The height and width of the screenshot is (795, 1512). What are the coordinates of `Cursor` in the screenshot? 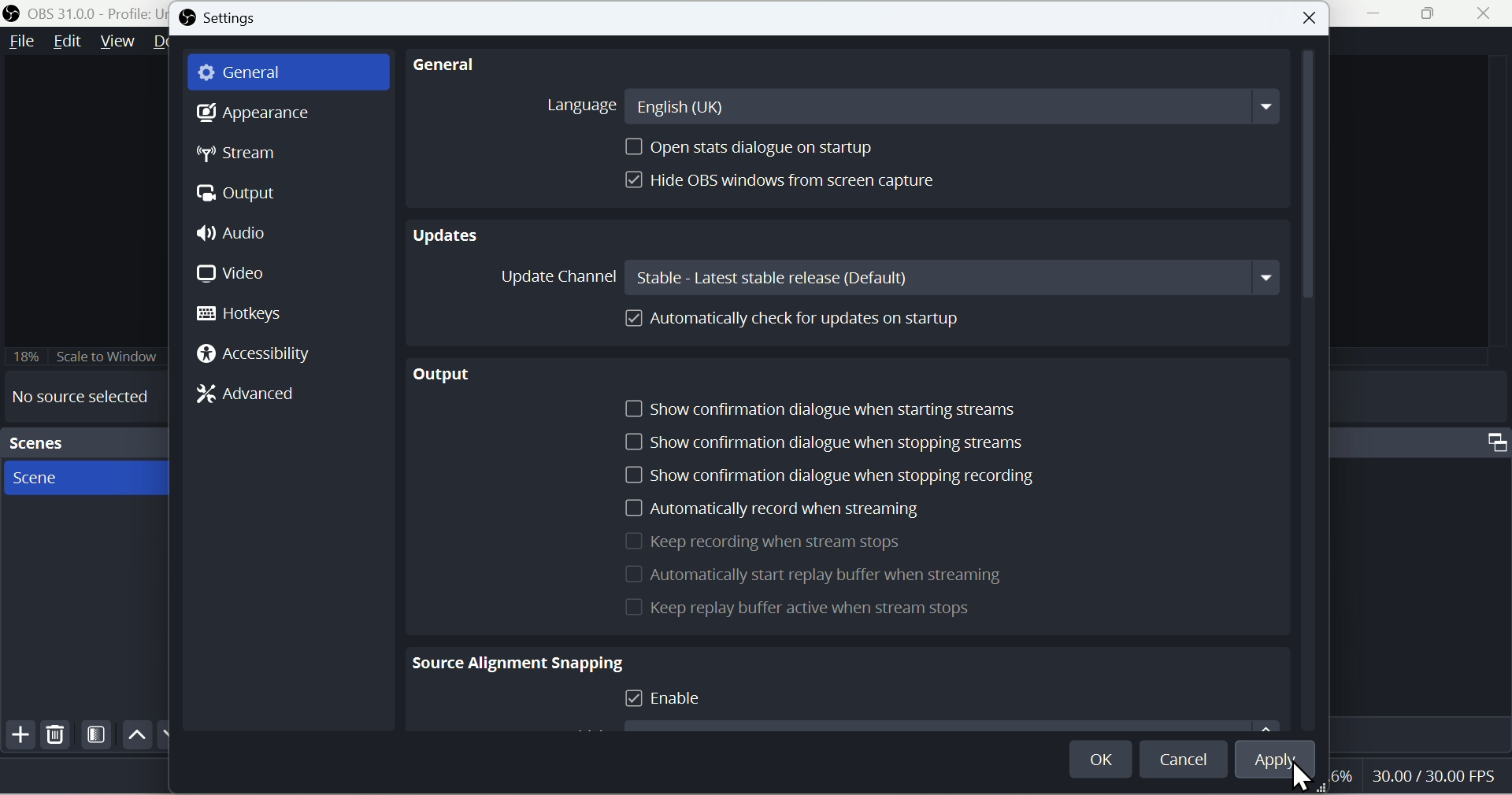 It's located at (1302, 775).